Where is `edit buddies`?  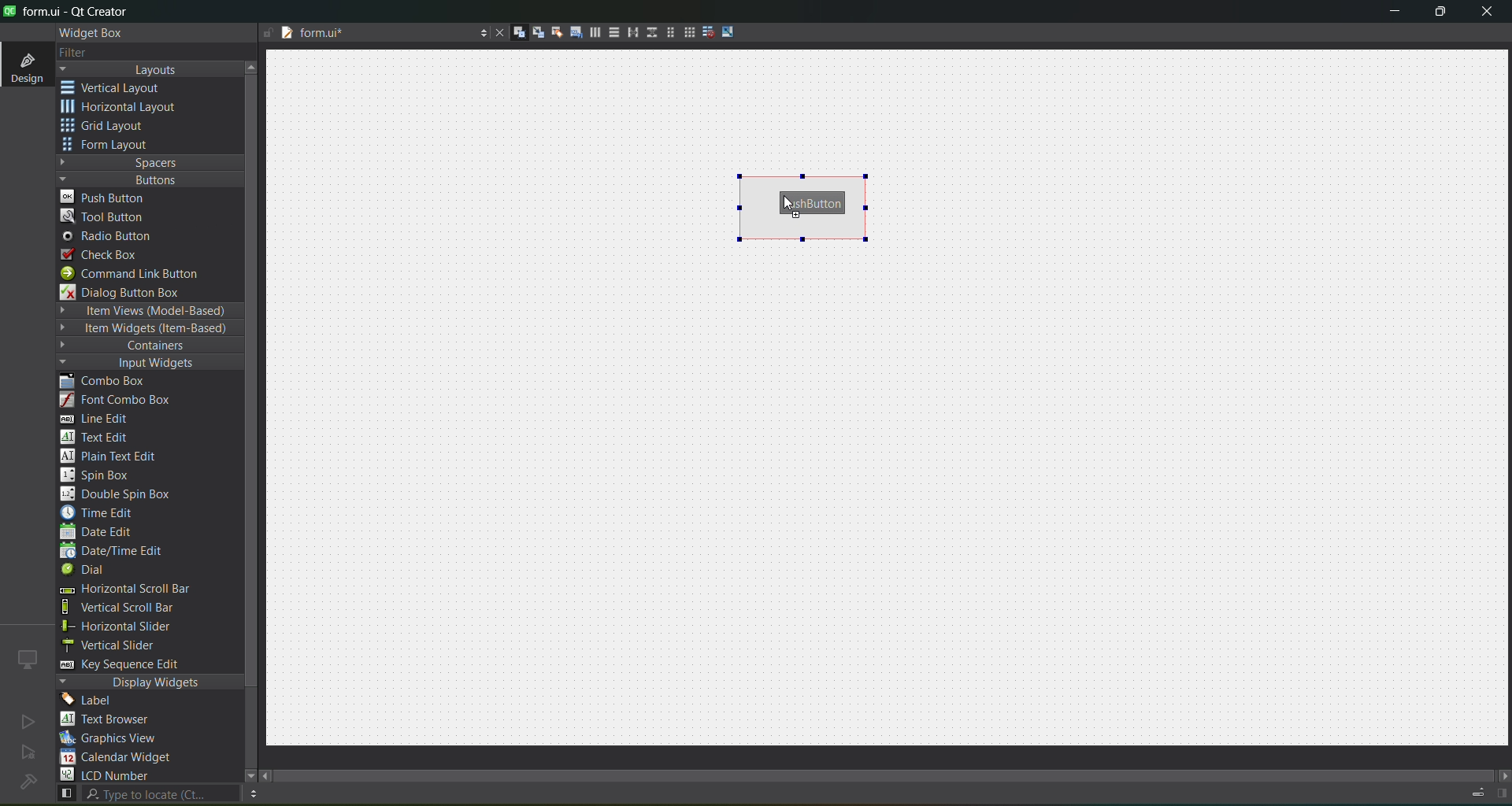
edit buddies is located at coordinates (551, 32).